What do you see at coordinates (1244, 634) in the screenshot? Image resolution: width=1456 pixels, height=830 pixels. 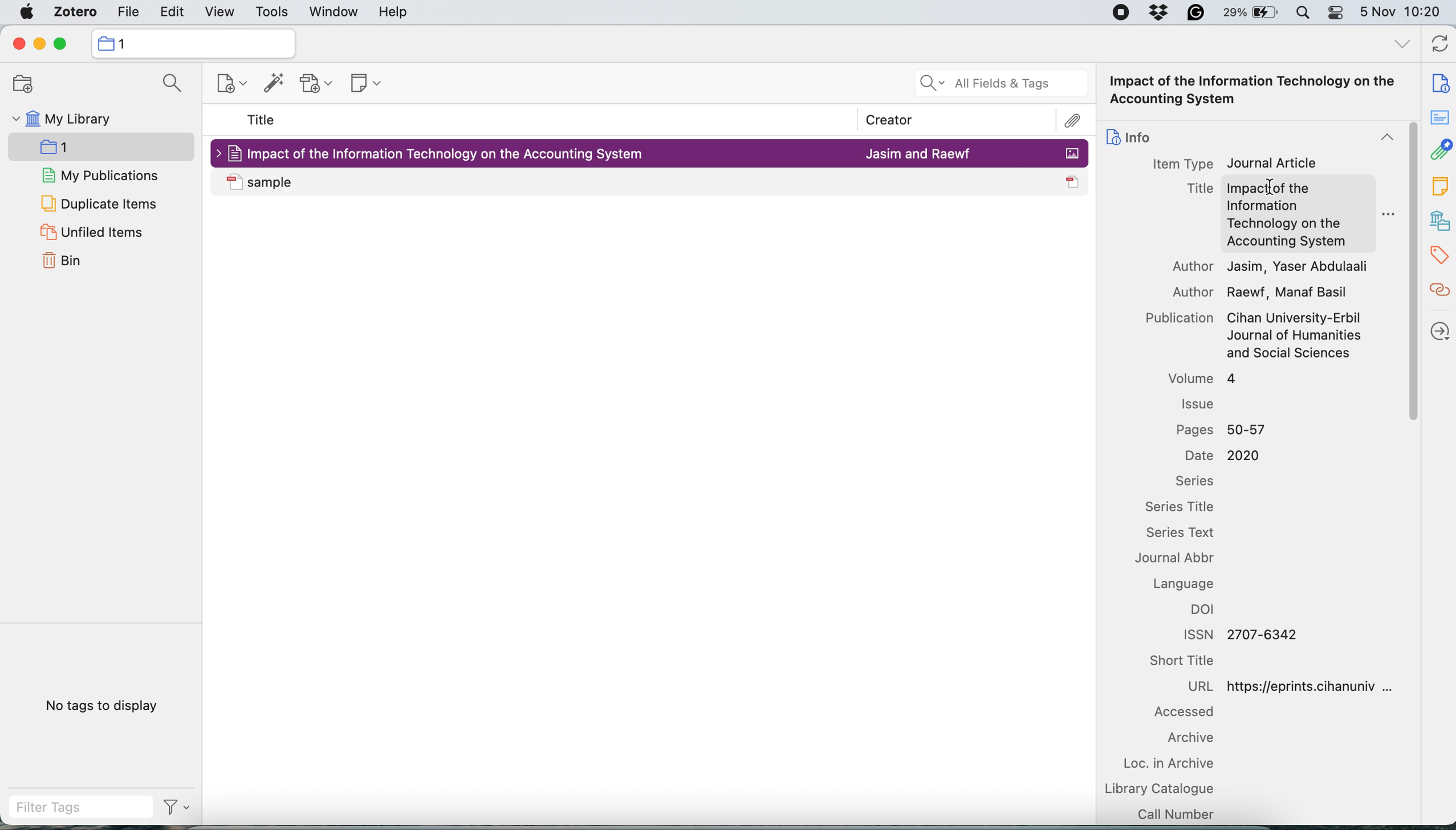 I see `ISSN 2707-6342` at bounding box center [1244, 634].